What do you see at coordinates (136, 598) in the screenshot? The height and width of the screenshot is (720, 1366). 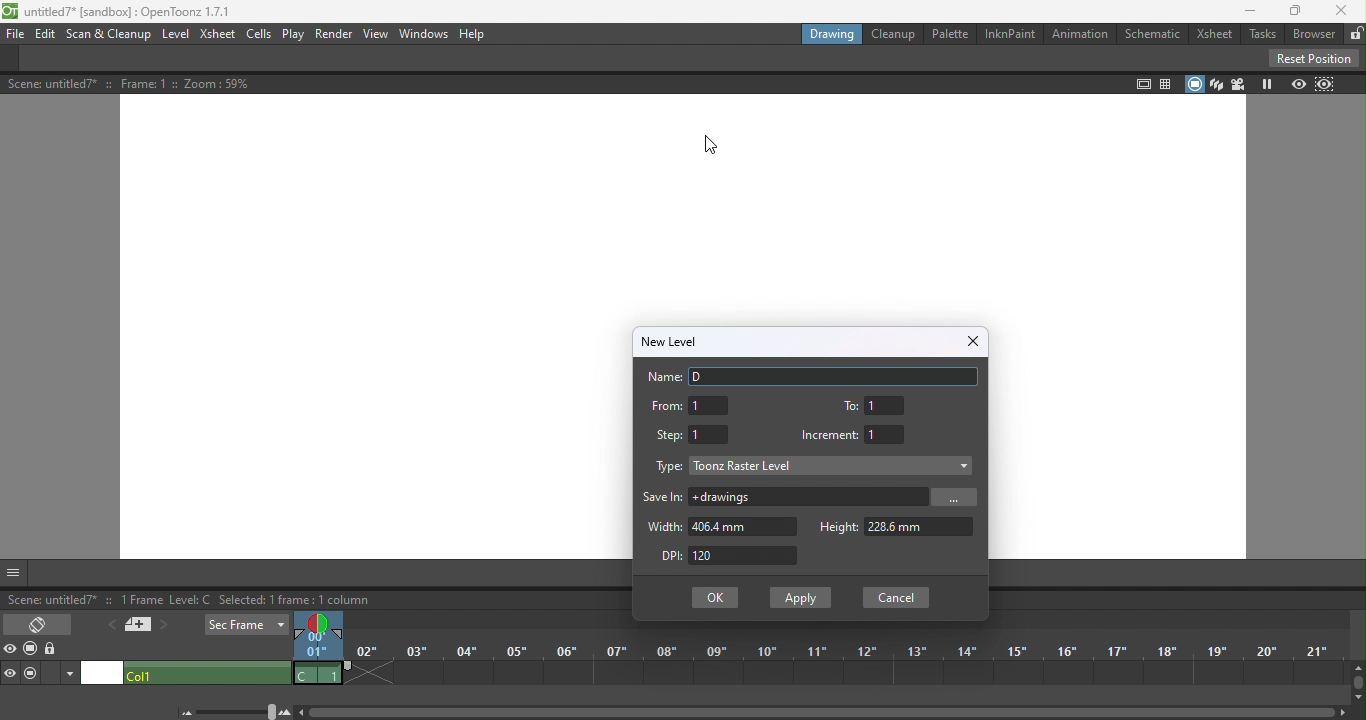 I see `0 frames` at bounding box center [136, 598].